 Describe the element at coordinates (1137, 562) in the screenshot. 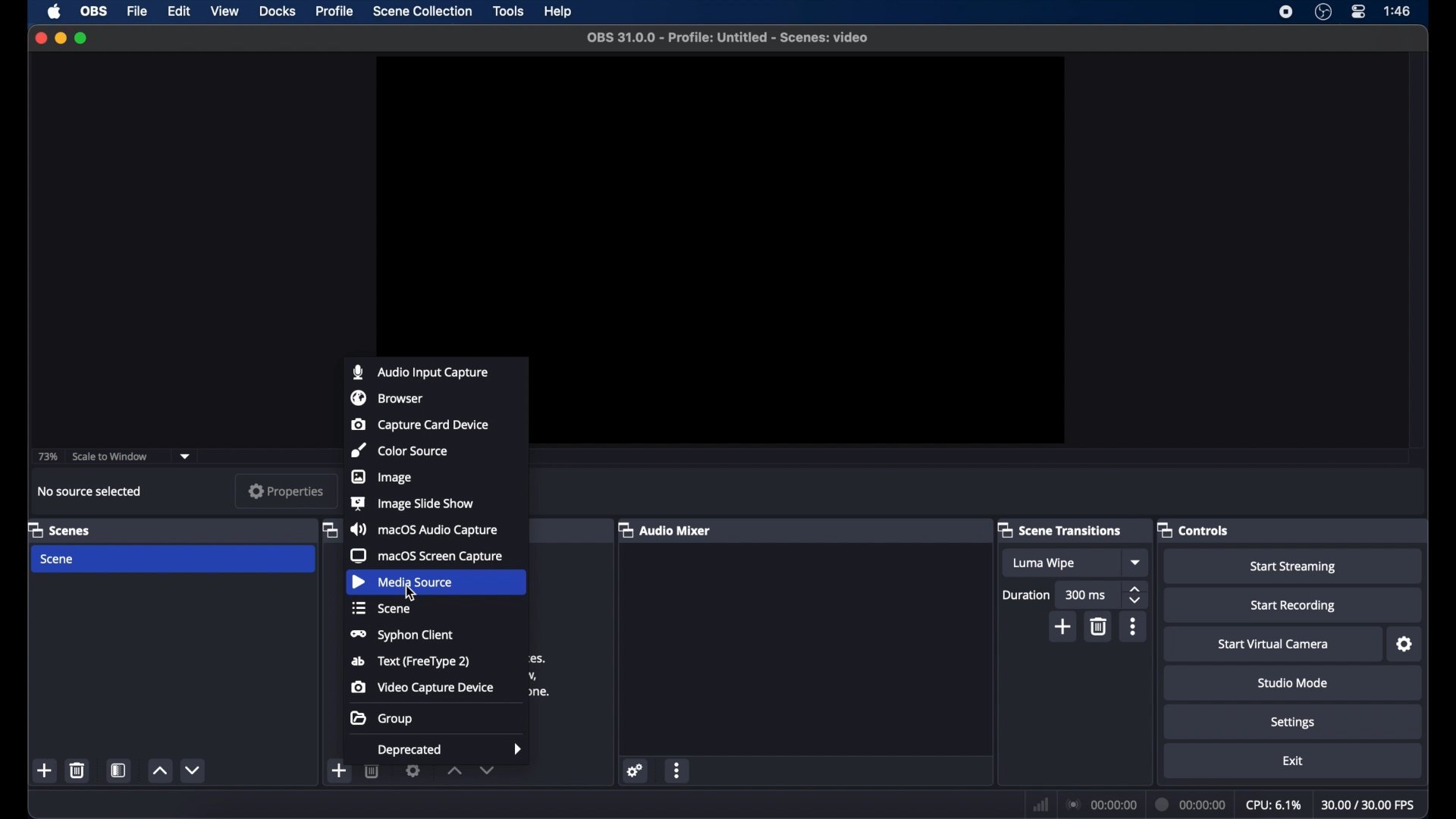

I see `dropdown` at that location.